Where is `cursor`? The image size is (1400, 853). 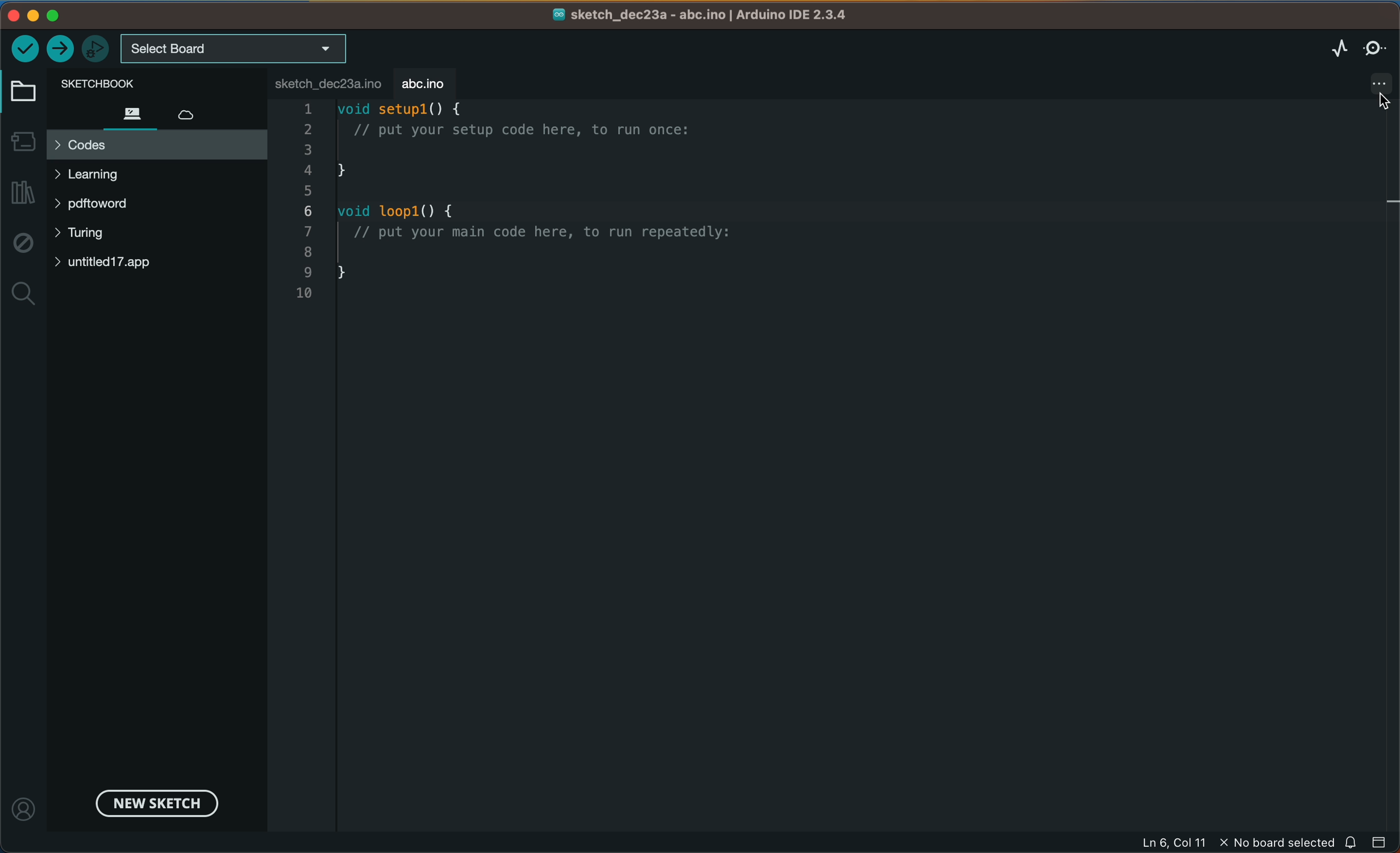 cursor is located at coordinates (1370, 101).